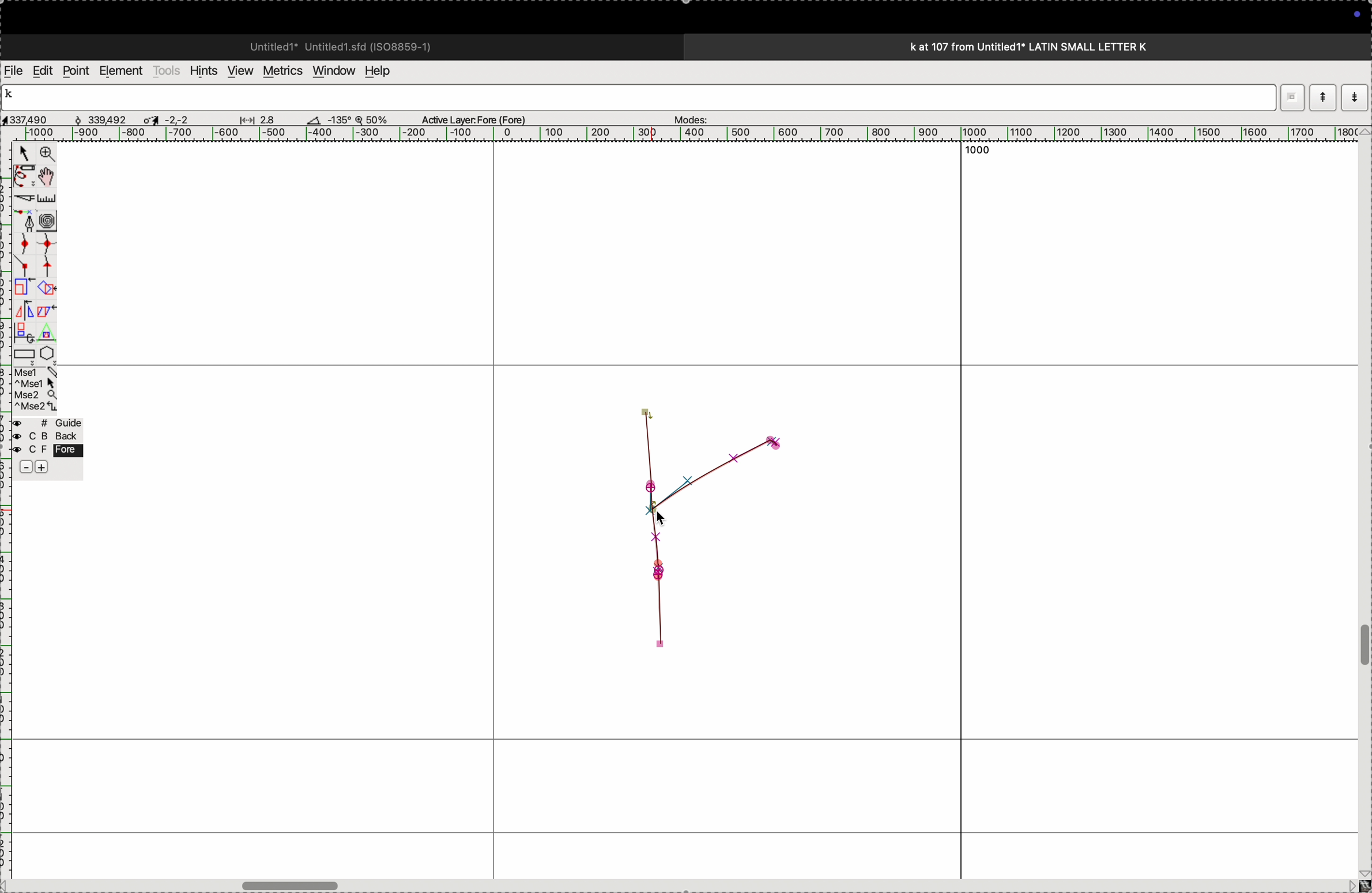 The height and width of the screenshot is (893, 1372). I want to click on 1000, so click(982, 154).